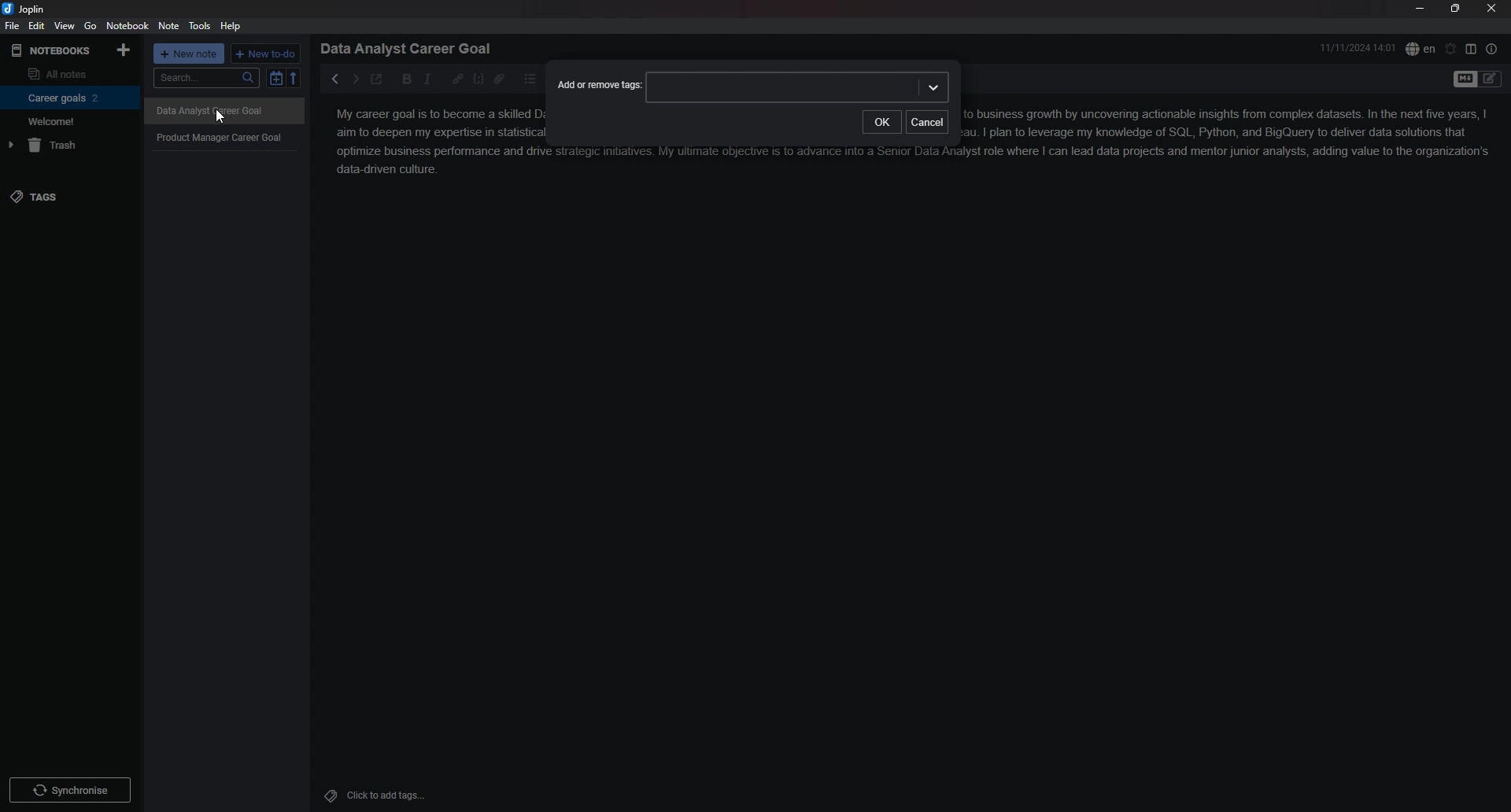 This screenshot has height=812, width=1511. What do you see at coordinates (68, 145) in the screenshot?
I see `trash` at bounding box center [68, 145].